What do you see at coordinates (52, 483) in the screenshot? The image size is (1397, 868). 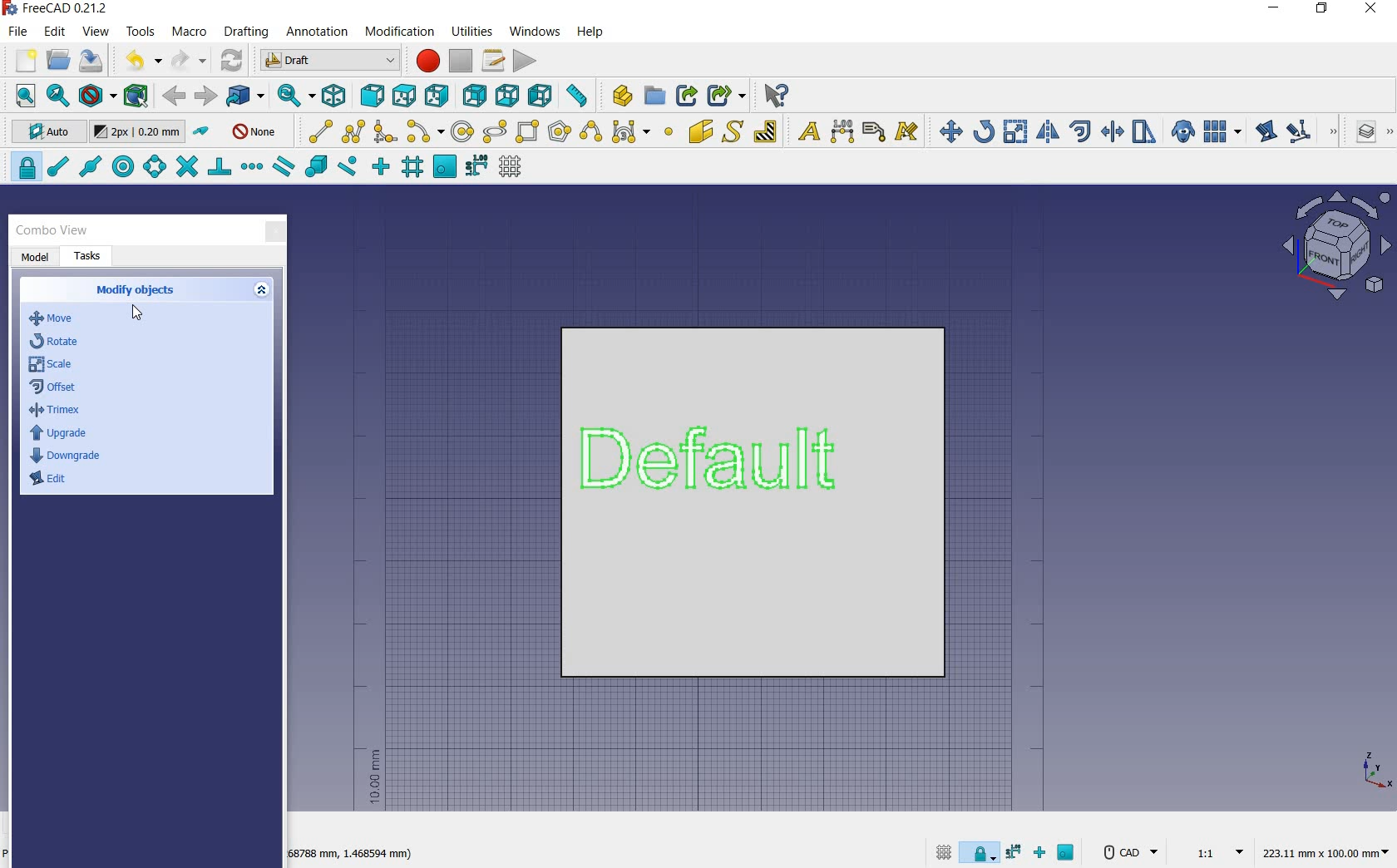 I see `edit` at bounding box center [52, 483].